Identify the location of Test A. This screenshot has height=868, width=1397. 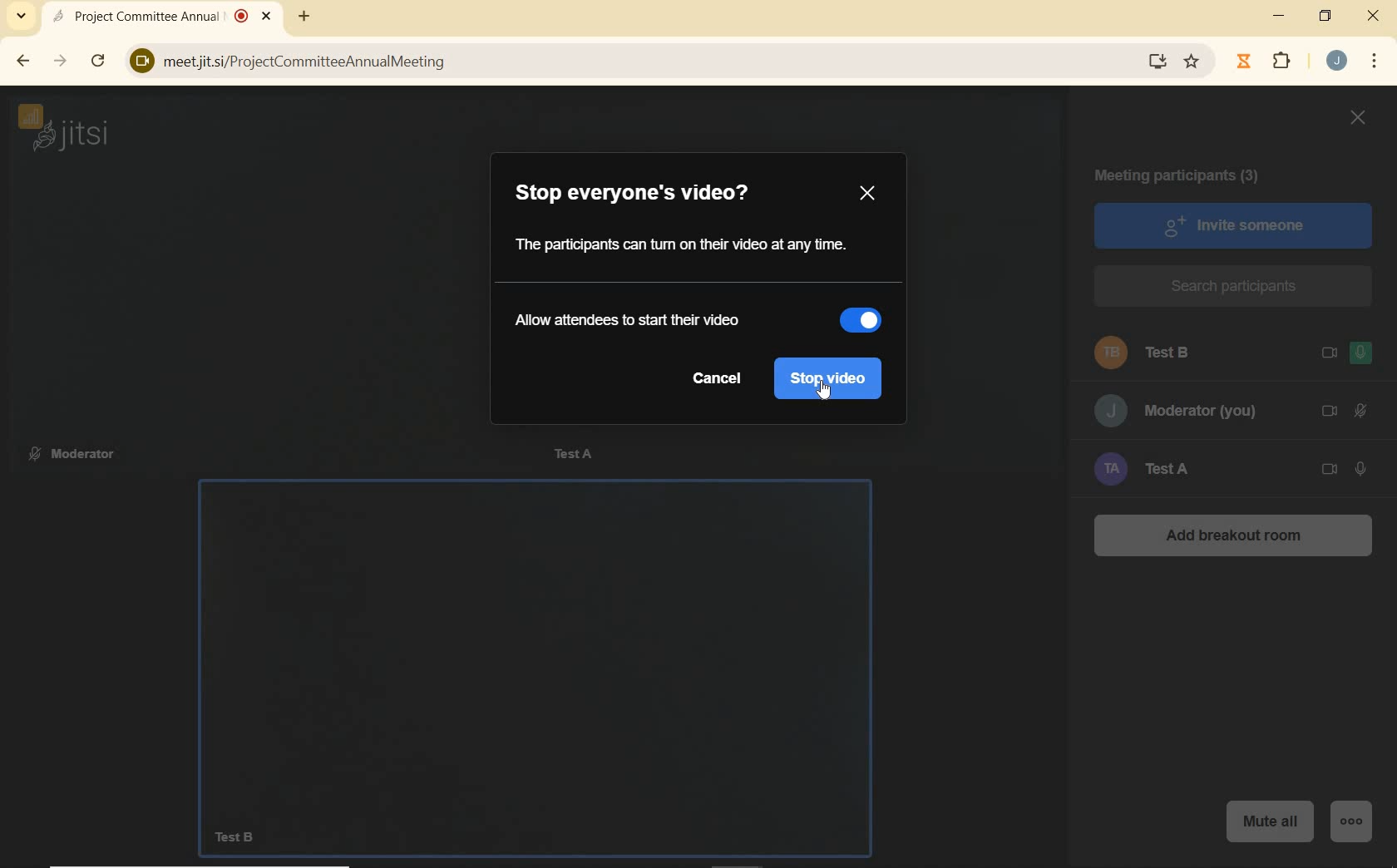
(582, 452).